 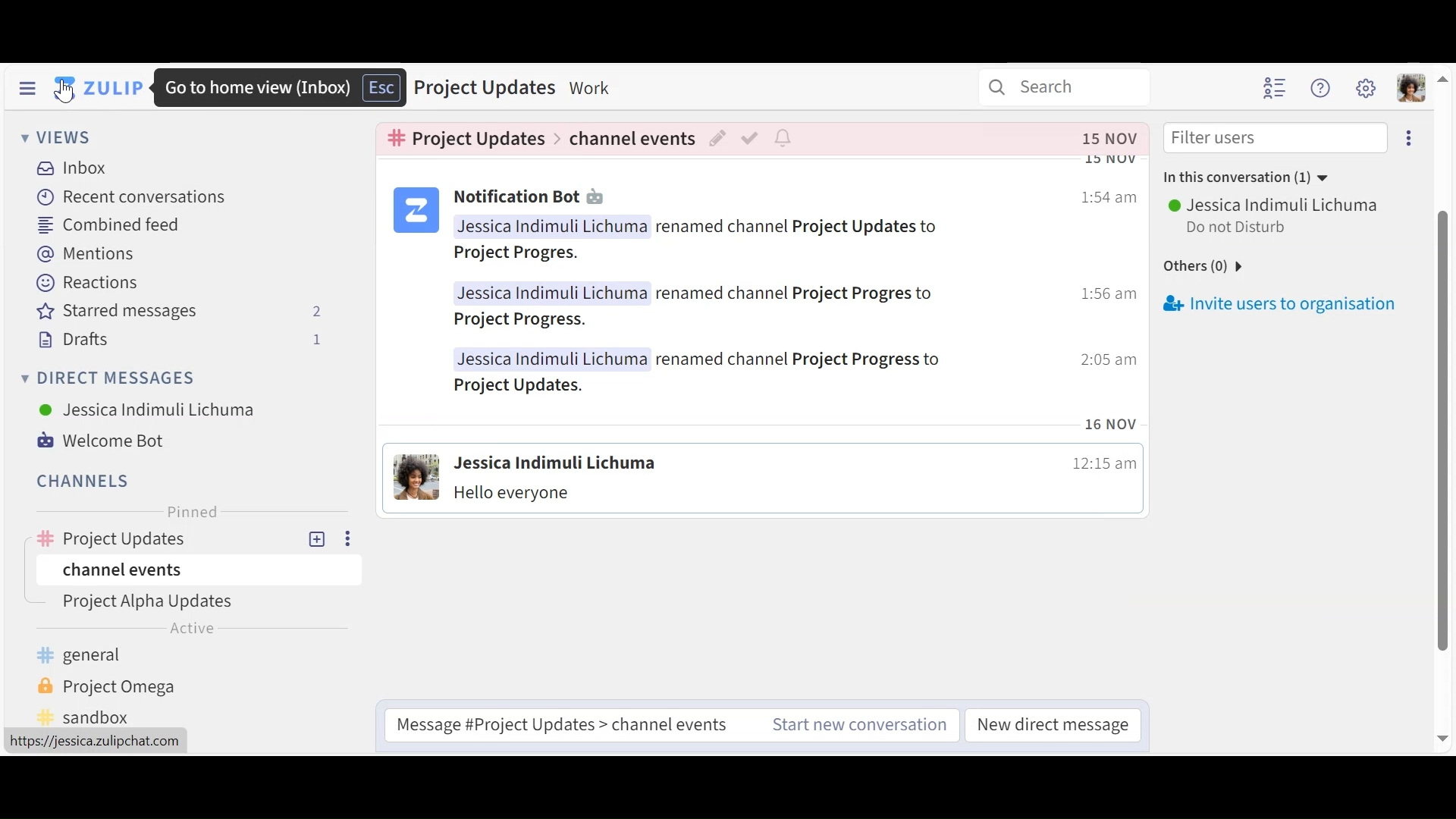 What do you see at coordinates (547, 359) in the screenshot?
I see `user name` at bounding box center [547, 359].